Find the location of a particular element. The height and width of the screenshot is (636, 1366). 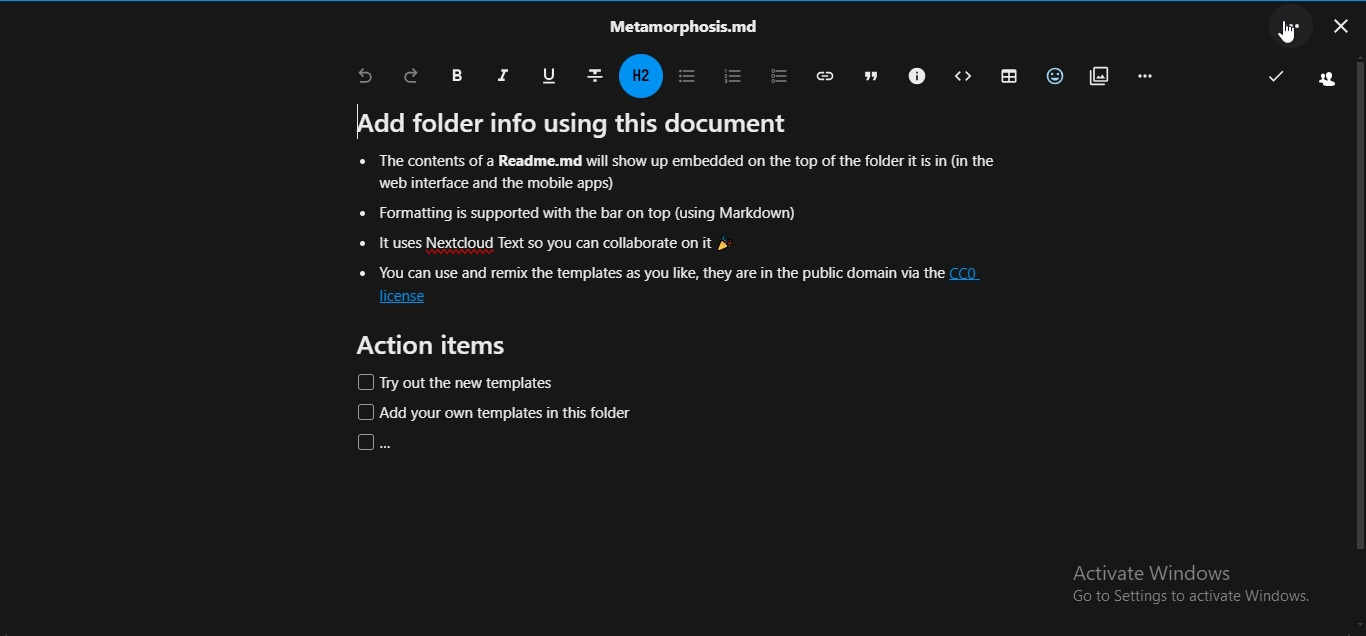

active people is located at coordinates (1323, 80).